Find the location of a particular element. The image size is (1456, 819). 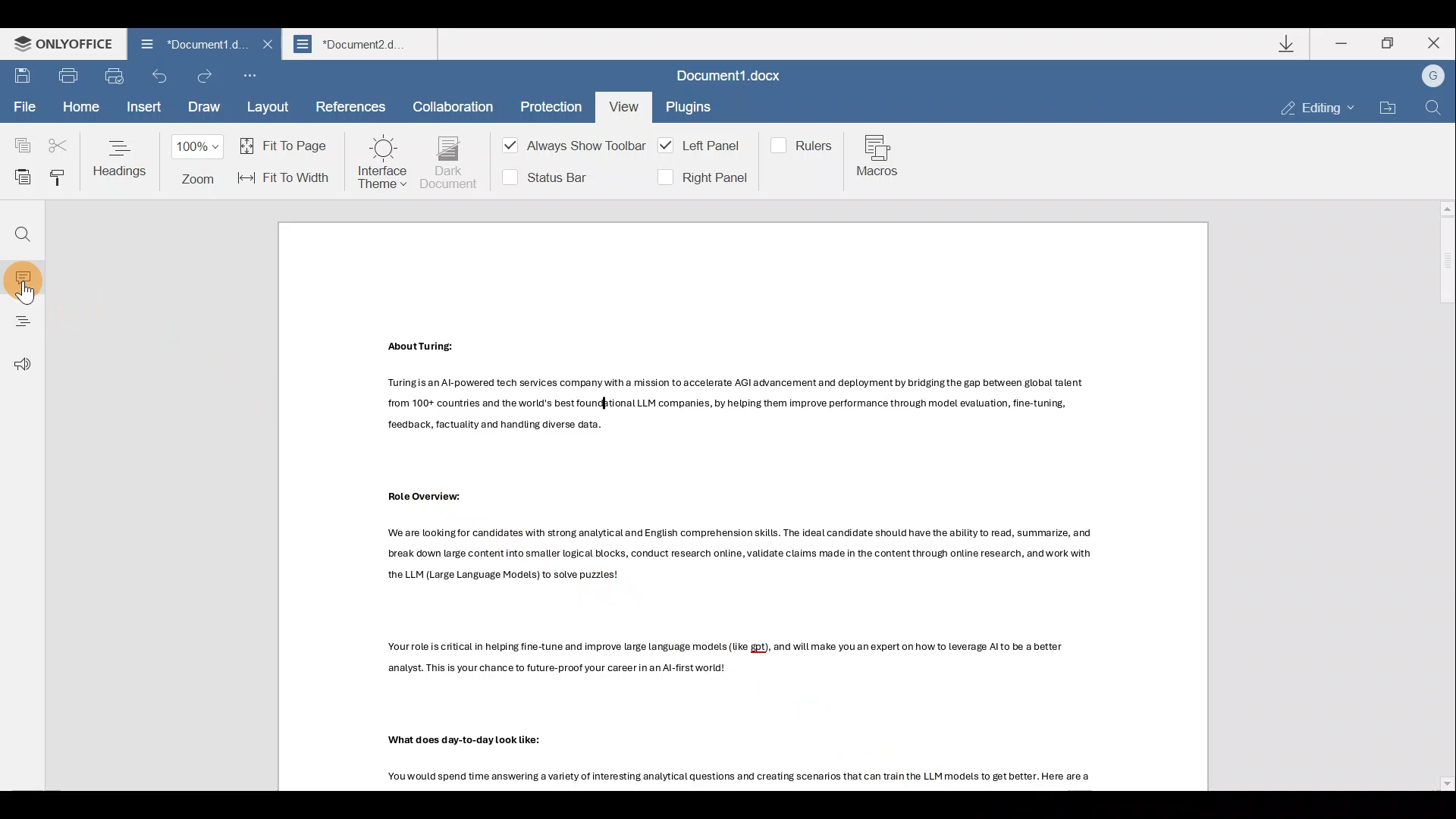

Customize quick access toolbar is located at coordinates (255, 77).